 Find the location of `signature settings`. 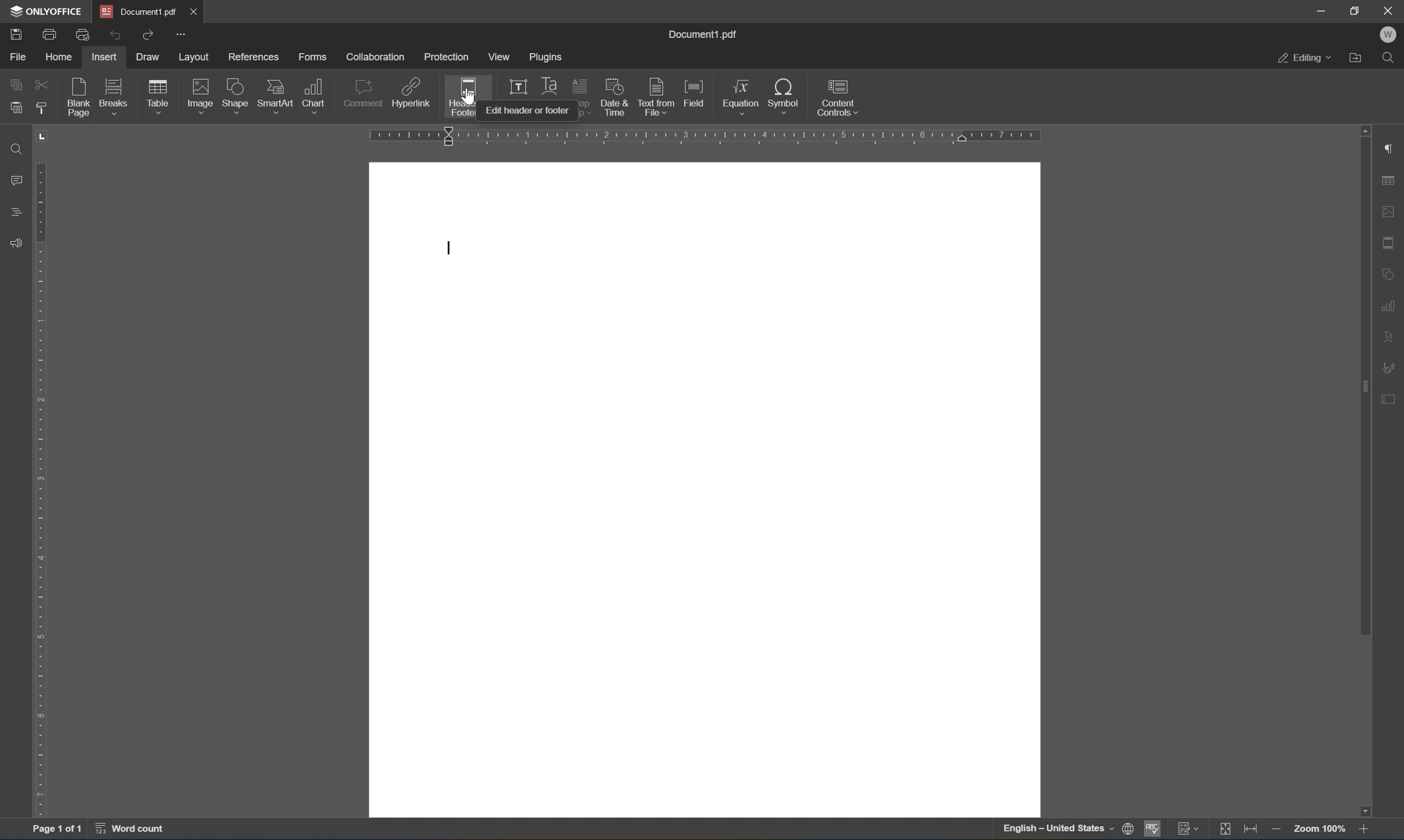

signature settings is located at coordinates (1391, 367).